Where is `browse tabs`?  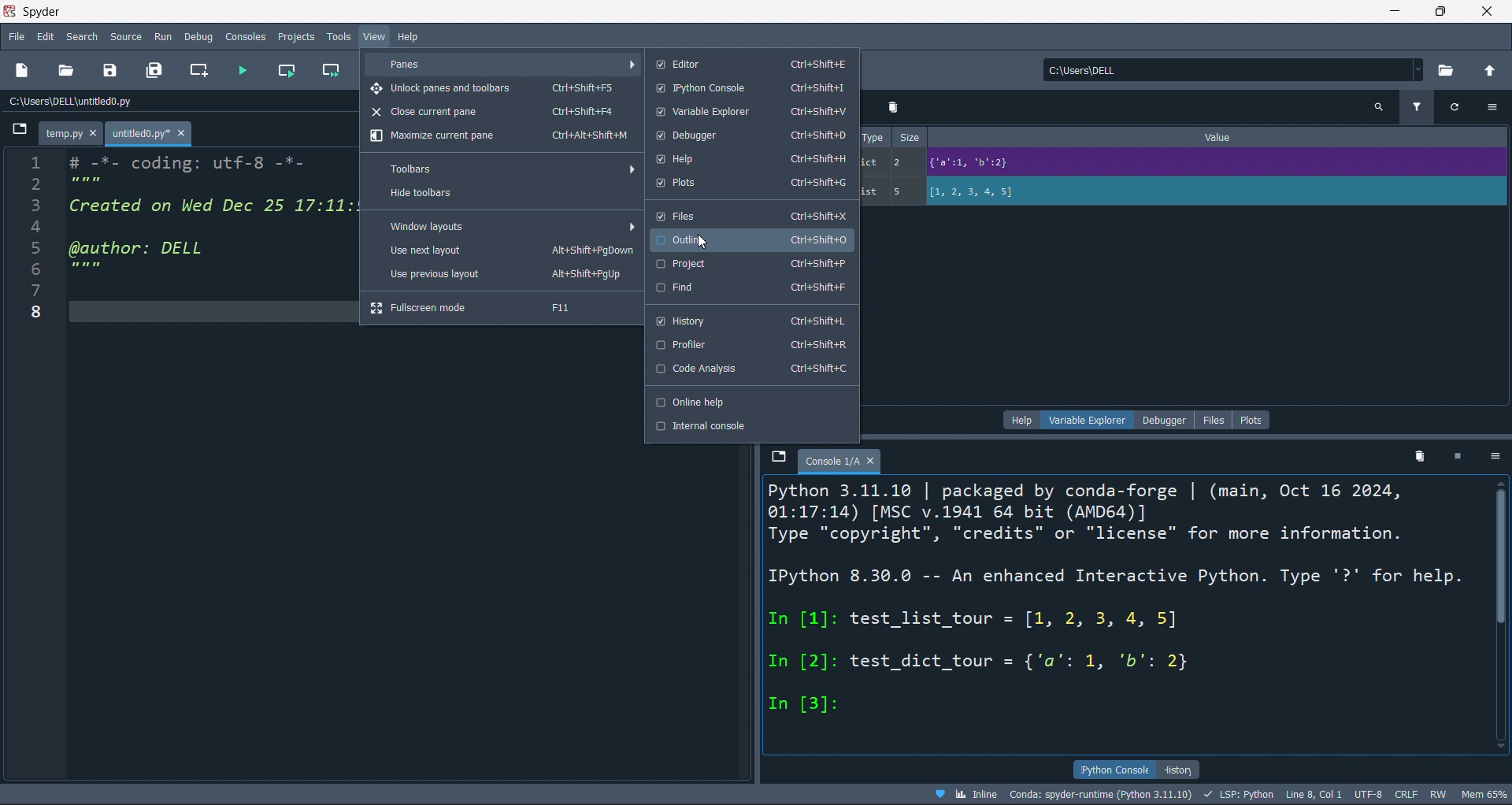 browse tabs is located at coordinates (778, 461).